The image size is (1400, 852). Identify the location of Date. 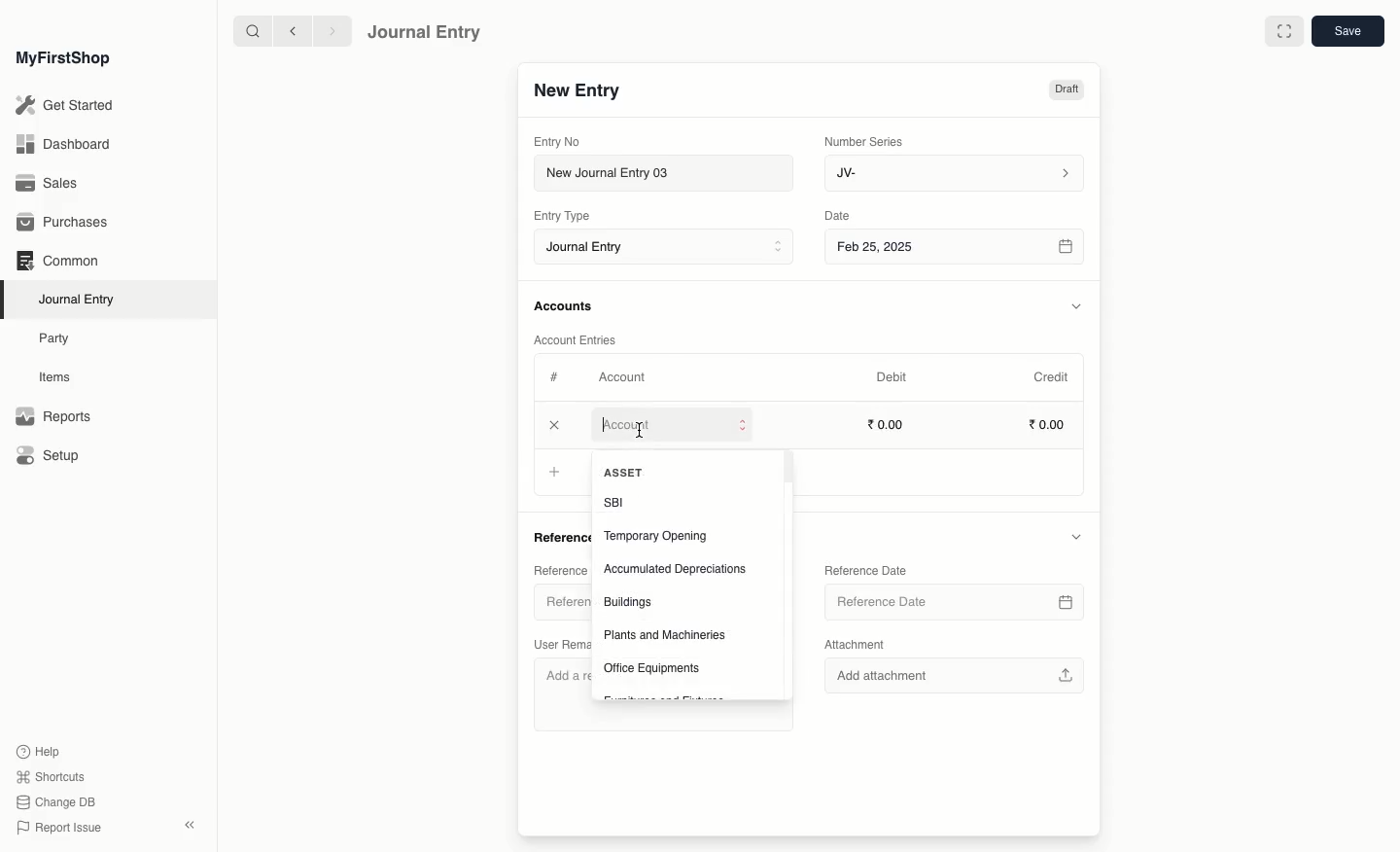
(838, 216).